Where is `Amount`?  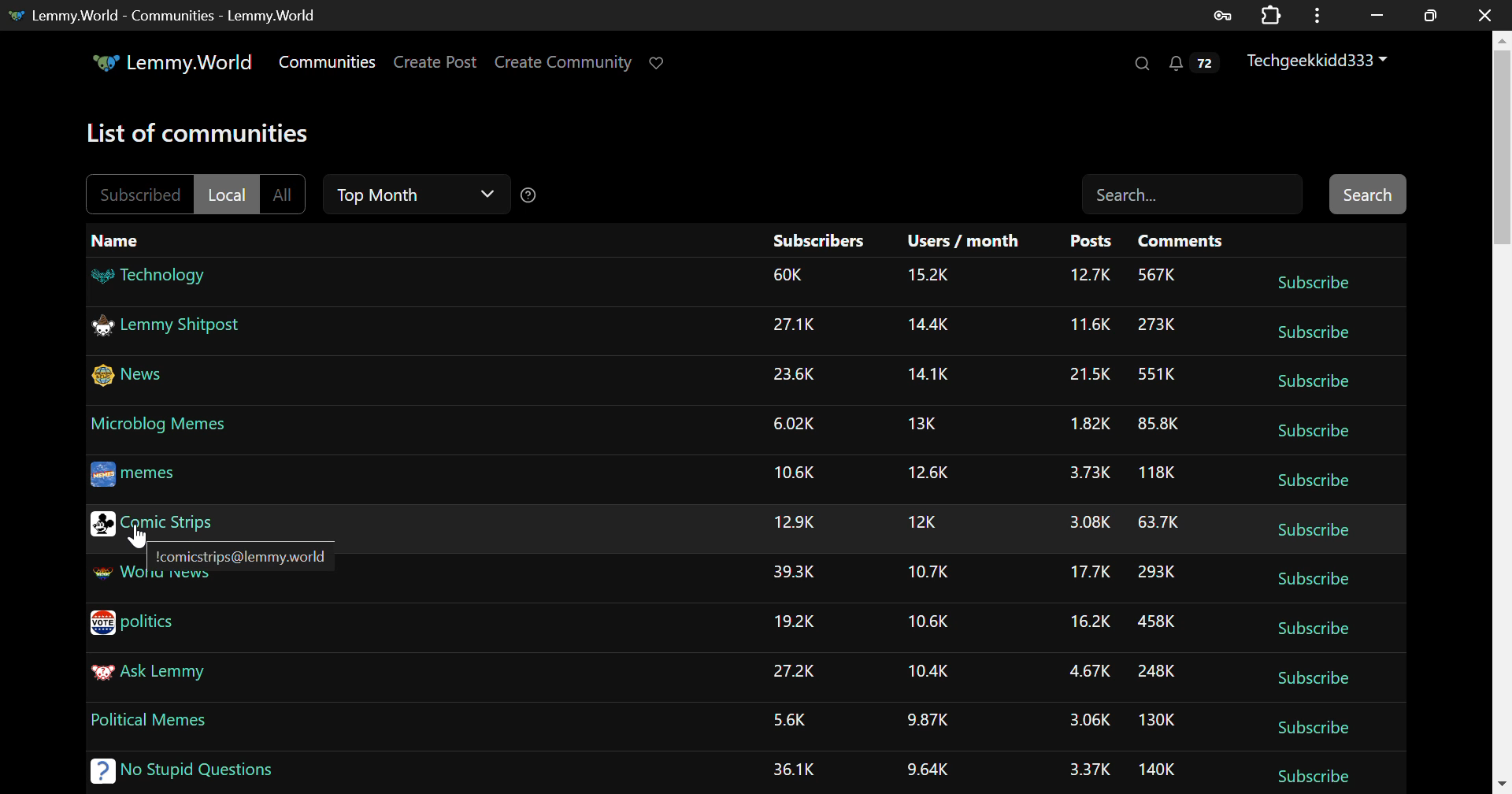
Amount is located at coordinates (927, 329).